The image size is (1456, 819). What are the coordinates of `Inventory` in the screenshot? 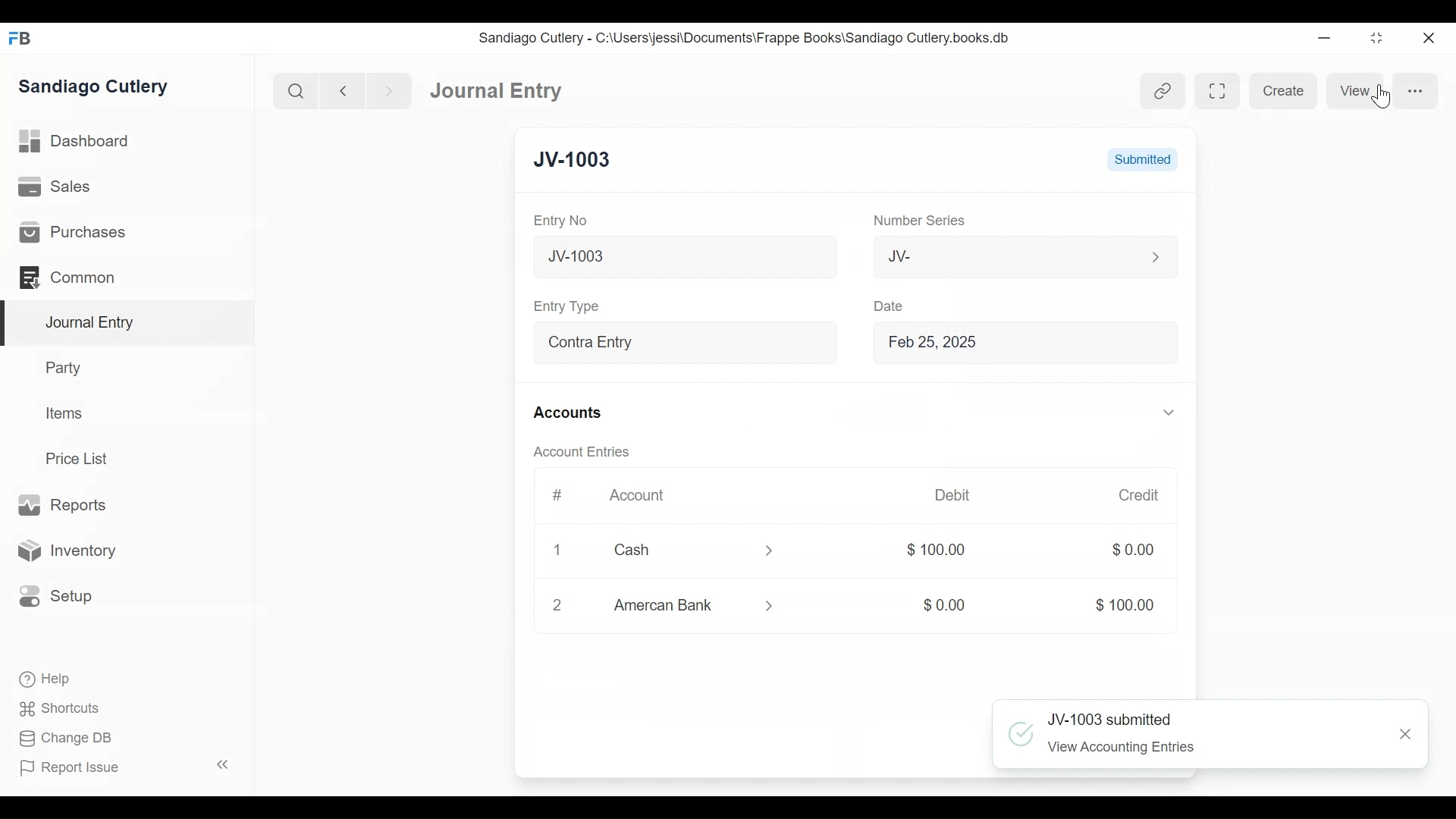 It's located at (71, 550).